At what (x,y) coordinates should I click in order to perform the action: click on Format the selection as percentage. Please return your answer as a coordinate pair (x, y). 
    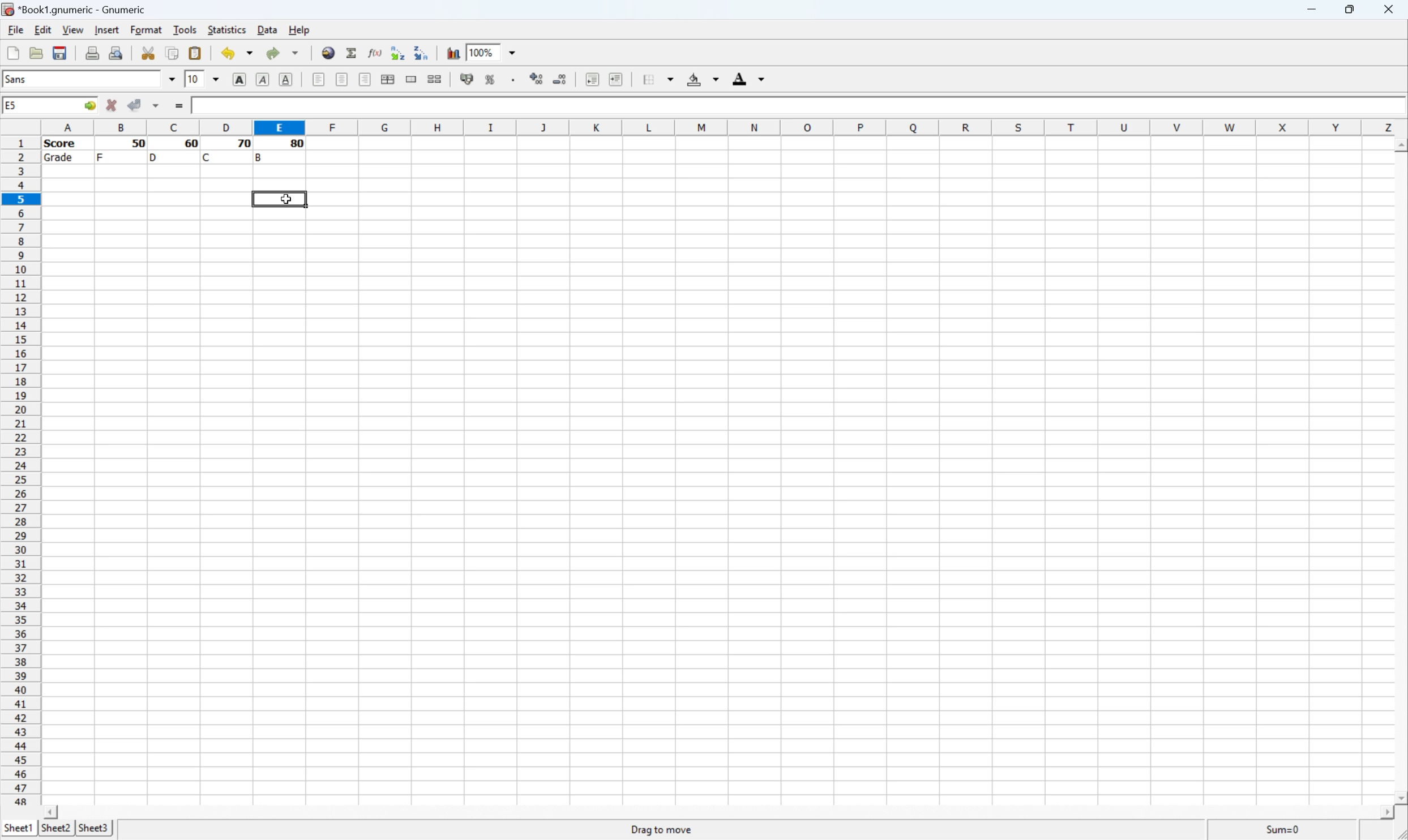
    Looking at the image, I should click on (491, 80).